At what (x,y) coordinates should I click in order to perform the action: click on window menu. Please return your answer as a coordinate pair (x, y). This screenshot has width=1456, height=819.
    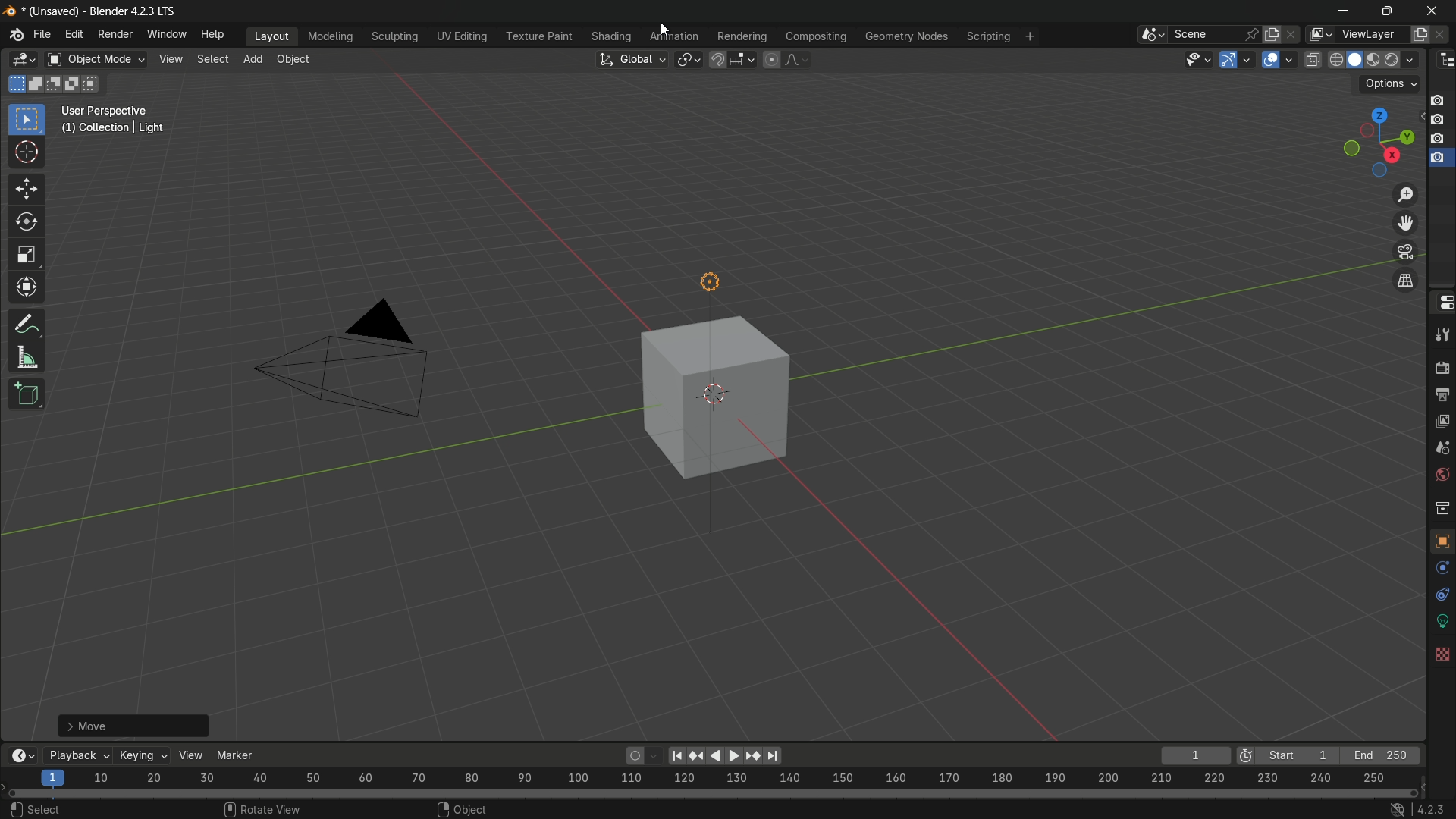
    Looking at the image, I should click on (166, 35).